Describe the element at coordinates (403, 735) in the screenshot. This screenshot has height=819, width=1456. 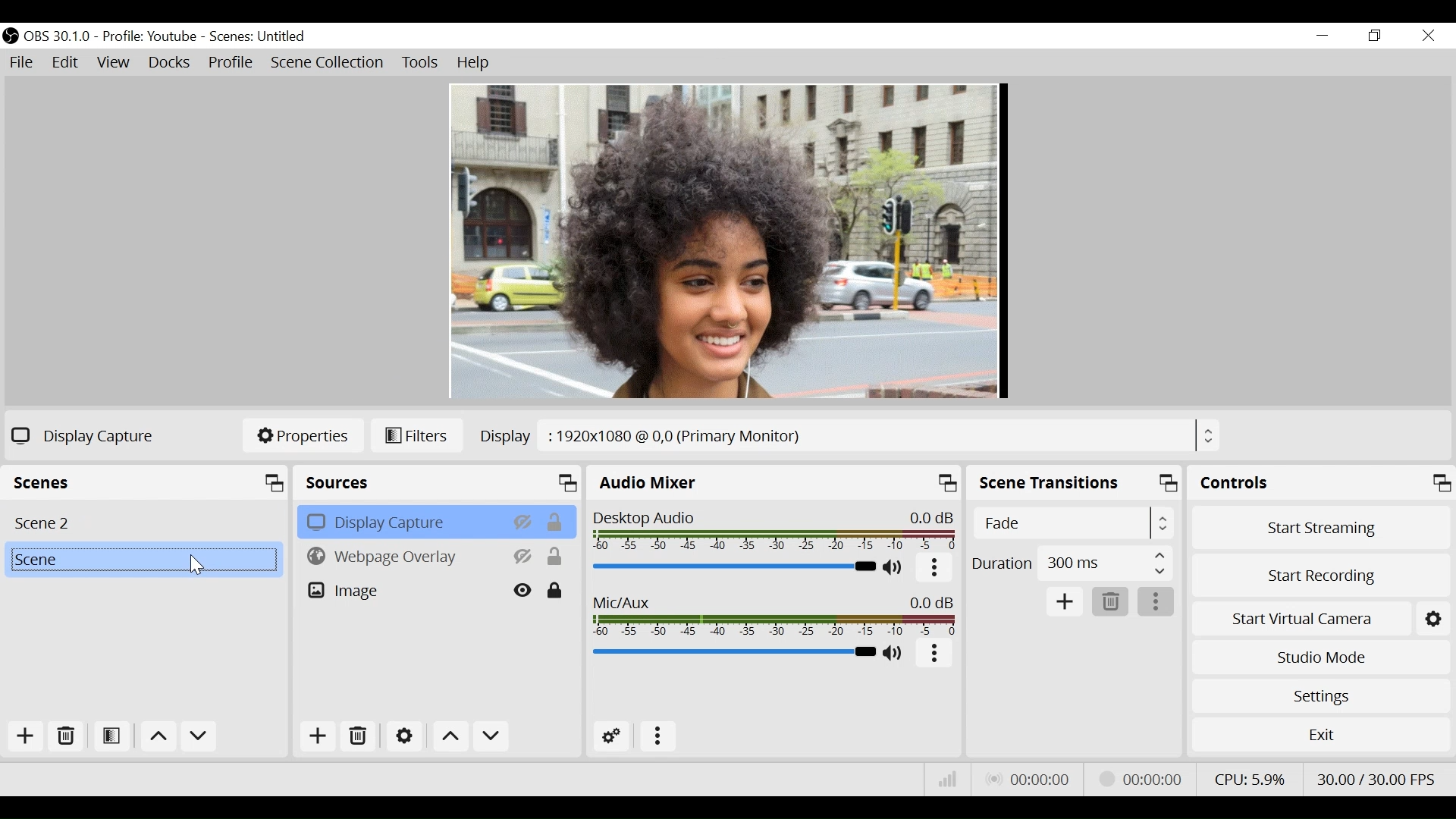
I see `Settings` at that location.